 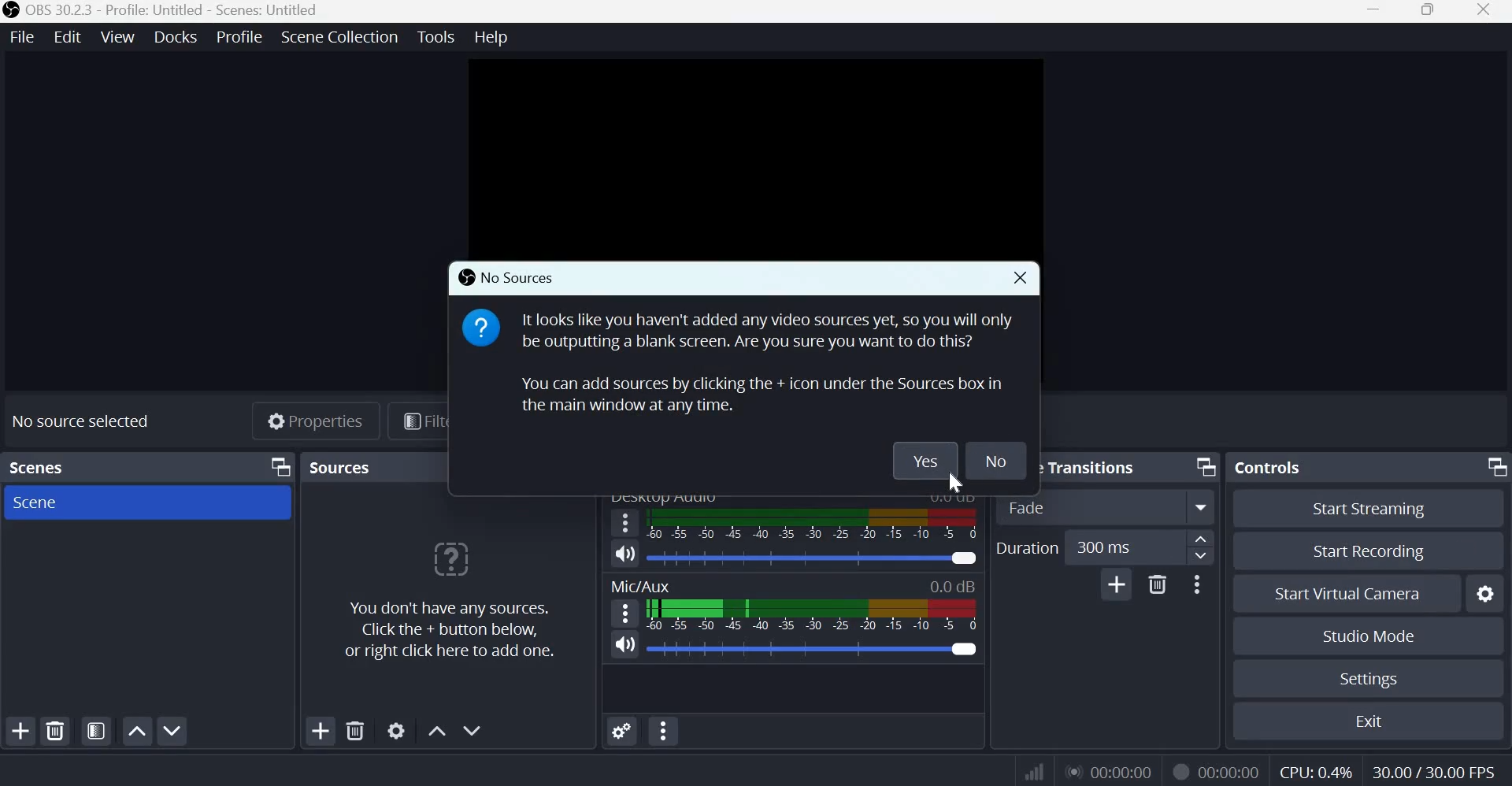 I want to click on Restore, so click(x=1427, y=12).